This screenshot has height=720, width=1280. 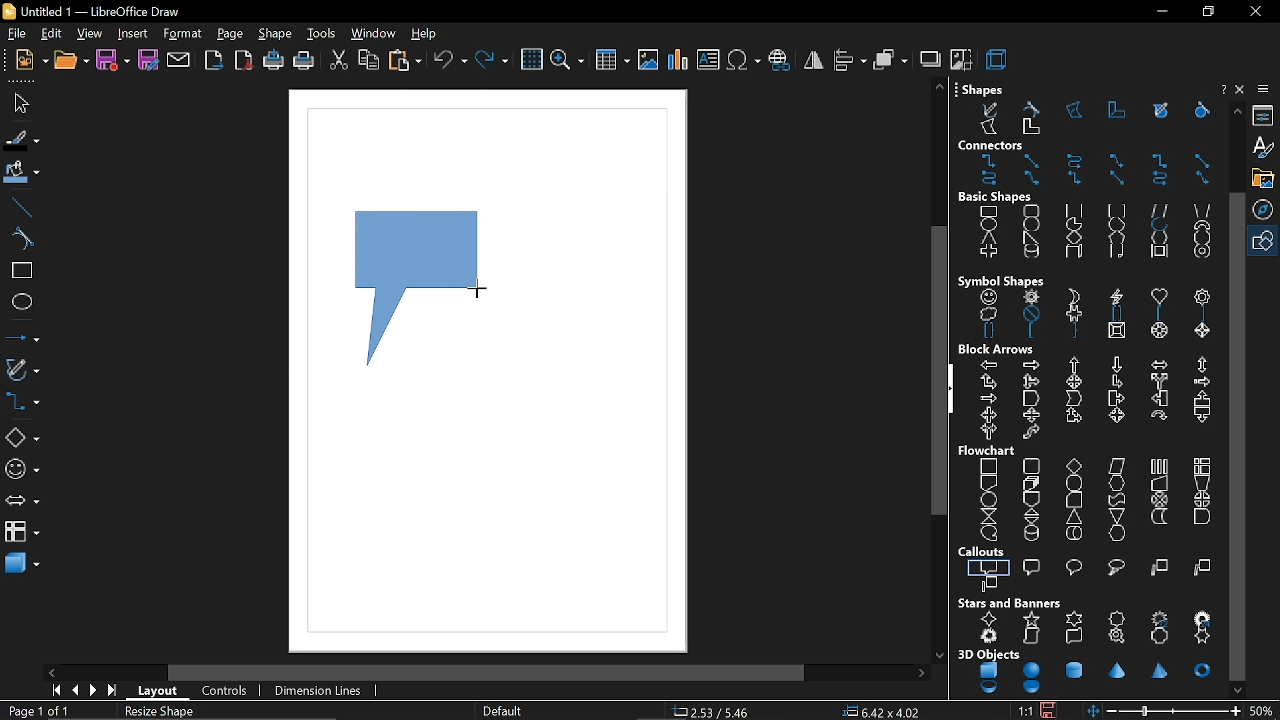 I want to click on rounded rectangular, so click(x=1033, y=566).